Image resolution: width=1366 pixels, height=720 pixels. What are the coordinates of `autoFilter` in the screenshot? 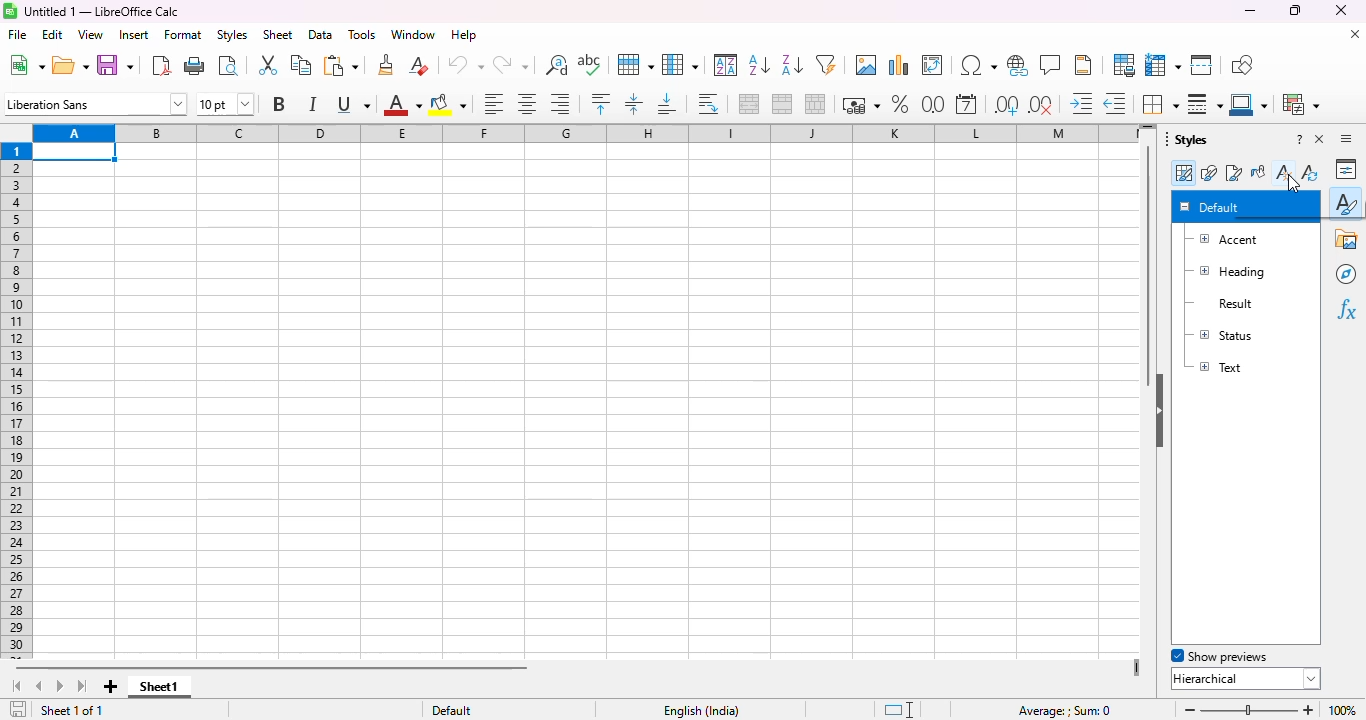 It's located at (826, 64).